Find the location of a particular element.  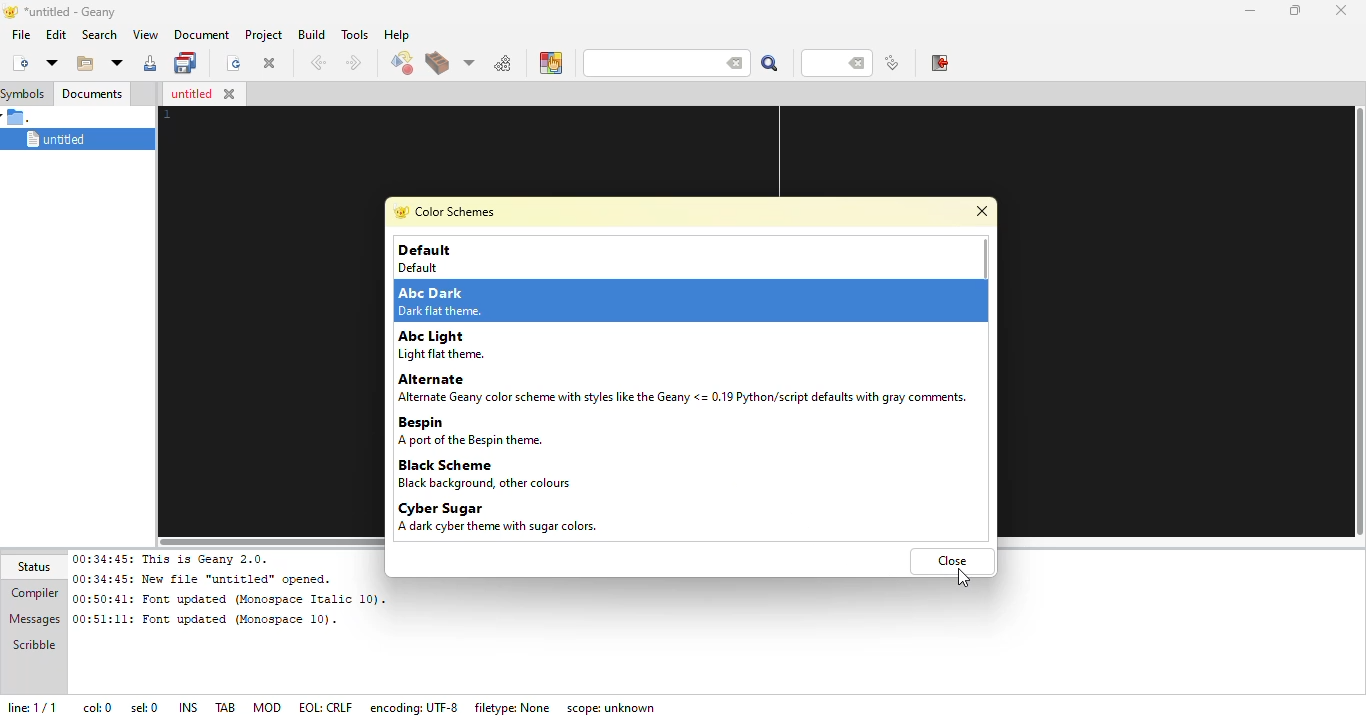

ins is located at coordinates (188, 706).